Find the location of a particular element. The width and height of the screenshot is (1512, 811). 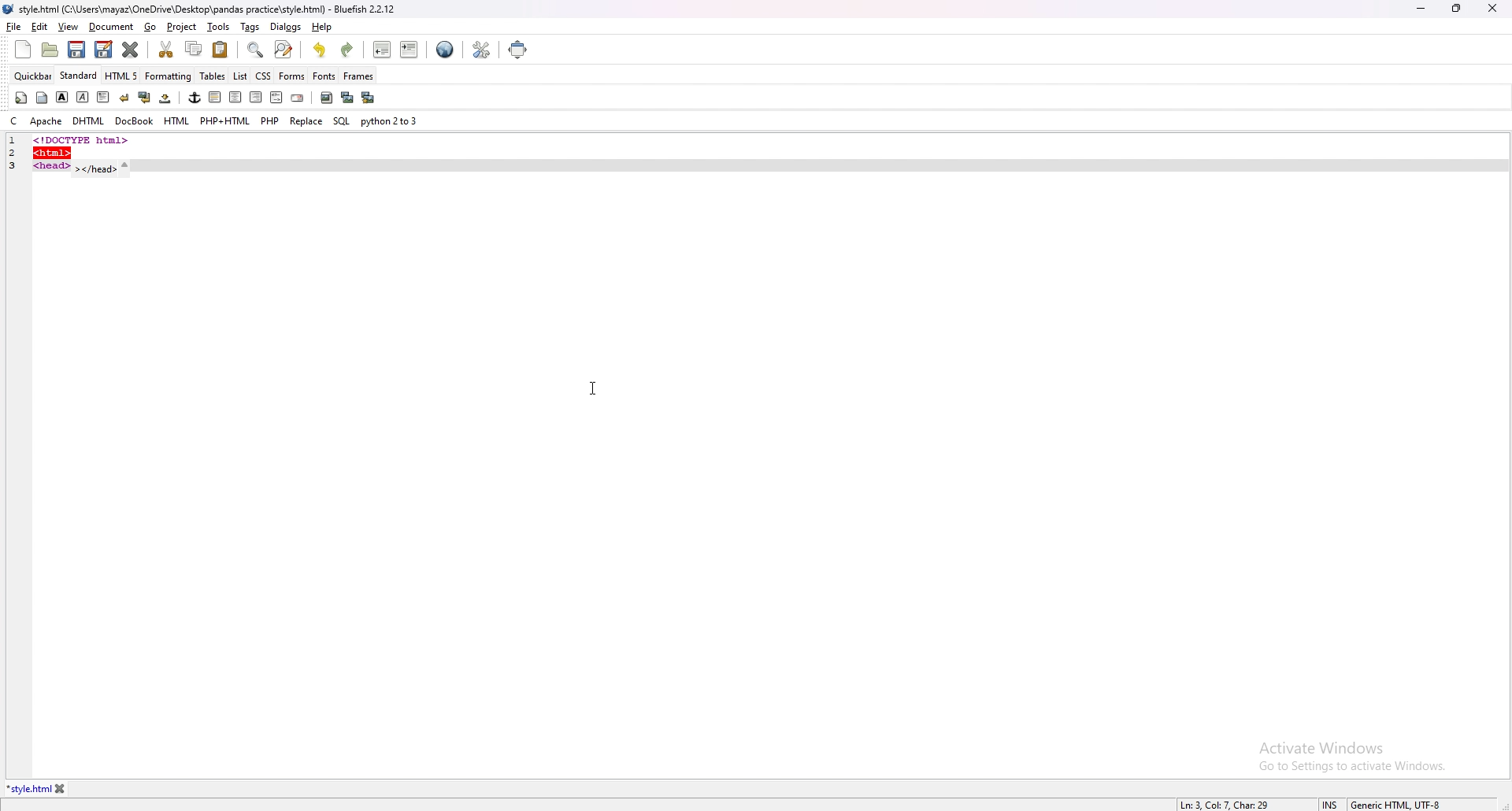

standard is located at coordinates (80, 76).